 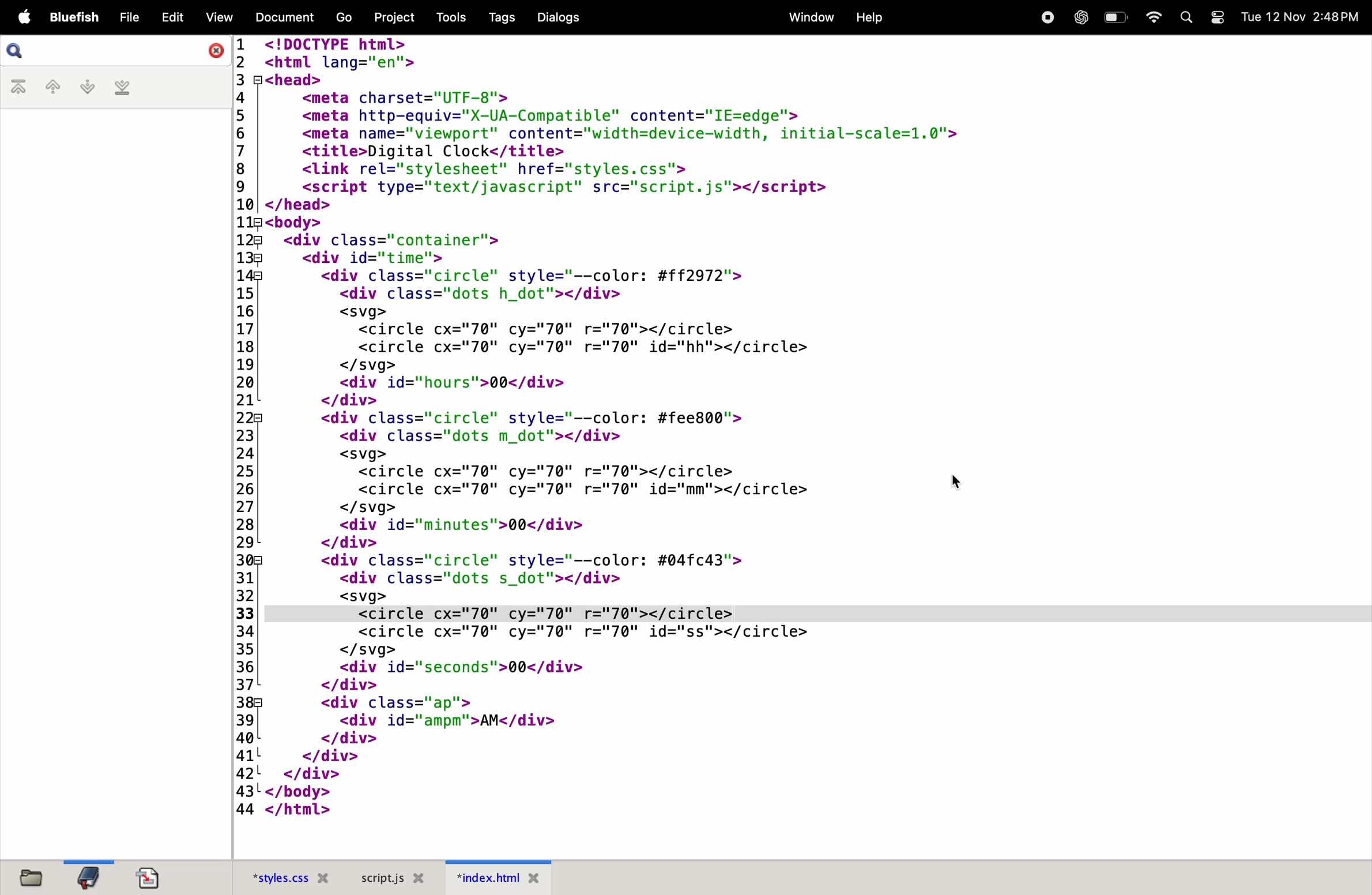 I want to click on first bookmark, so click(x=21, y=88).